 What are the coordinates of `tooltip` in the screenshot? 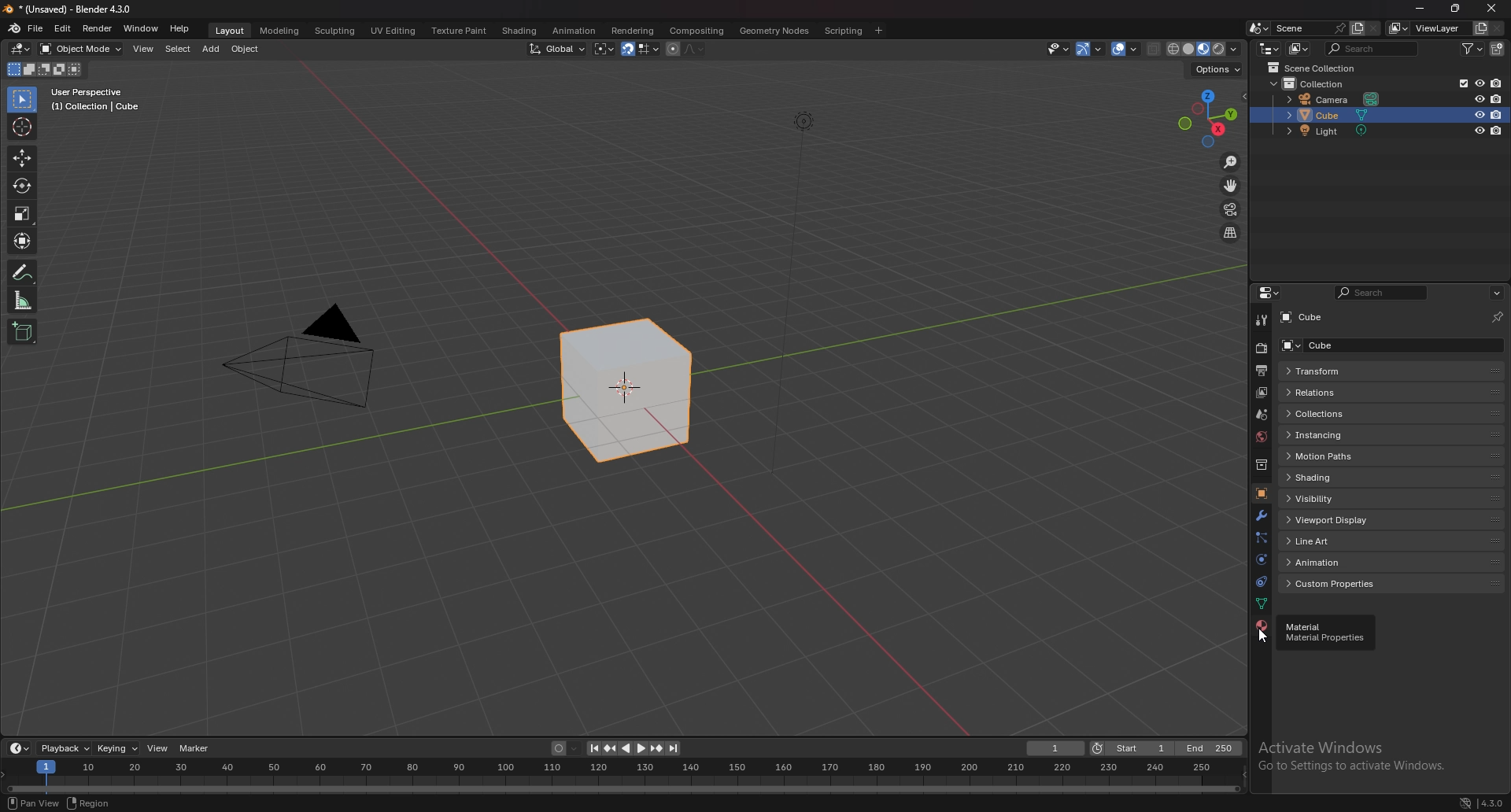 It's located at (1328, 633).